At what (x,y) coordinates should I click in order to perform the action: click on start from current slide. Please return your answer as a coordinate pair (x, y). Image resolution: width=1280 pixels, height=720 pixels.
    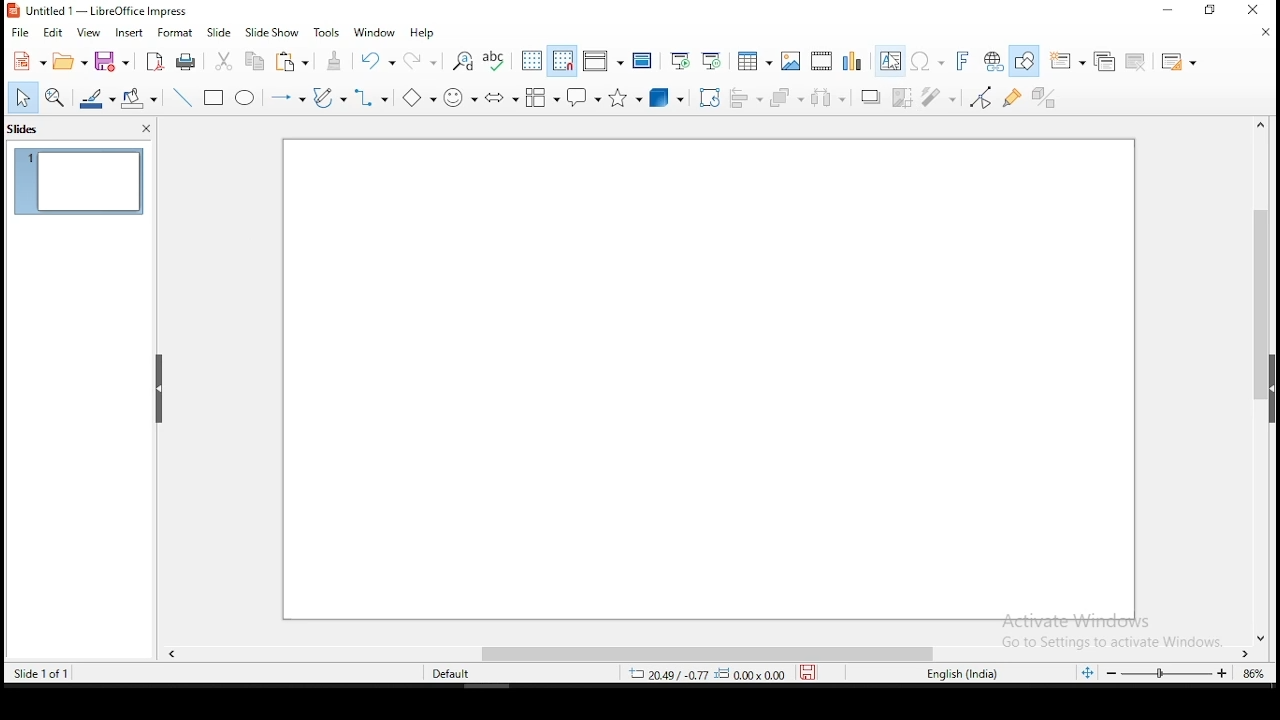
    Looking at the image, I should click on (710, 62).